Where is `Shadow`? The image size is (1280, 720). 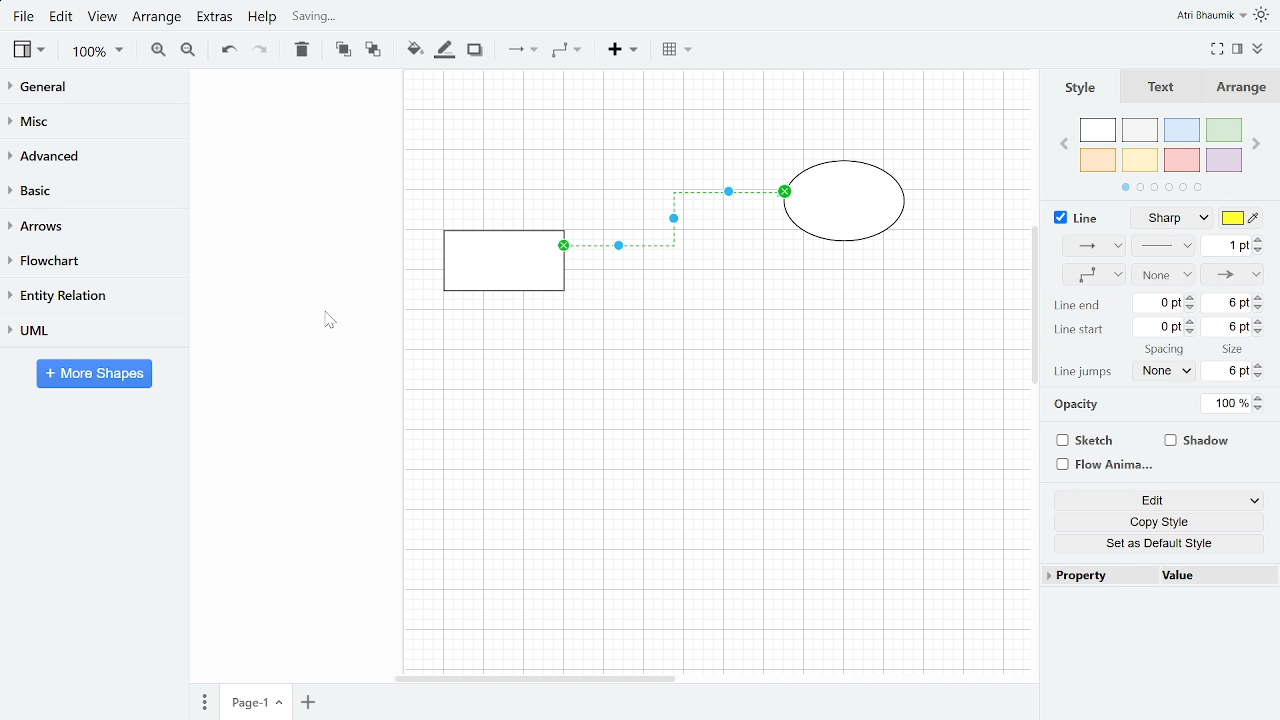
Shadow is located at coordinates (1210, 440).